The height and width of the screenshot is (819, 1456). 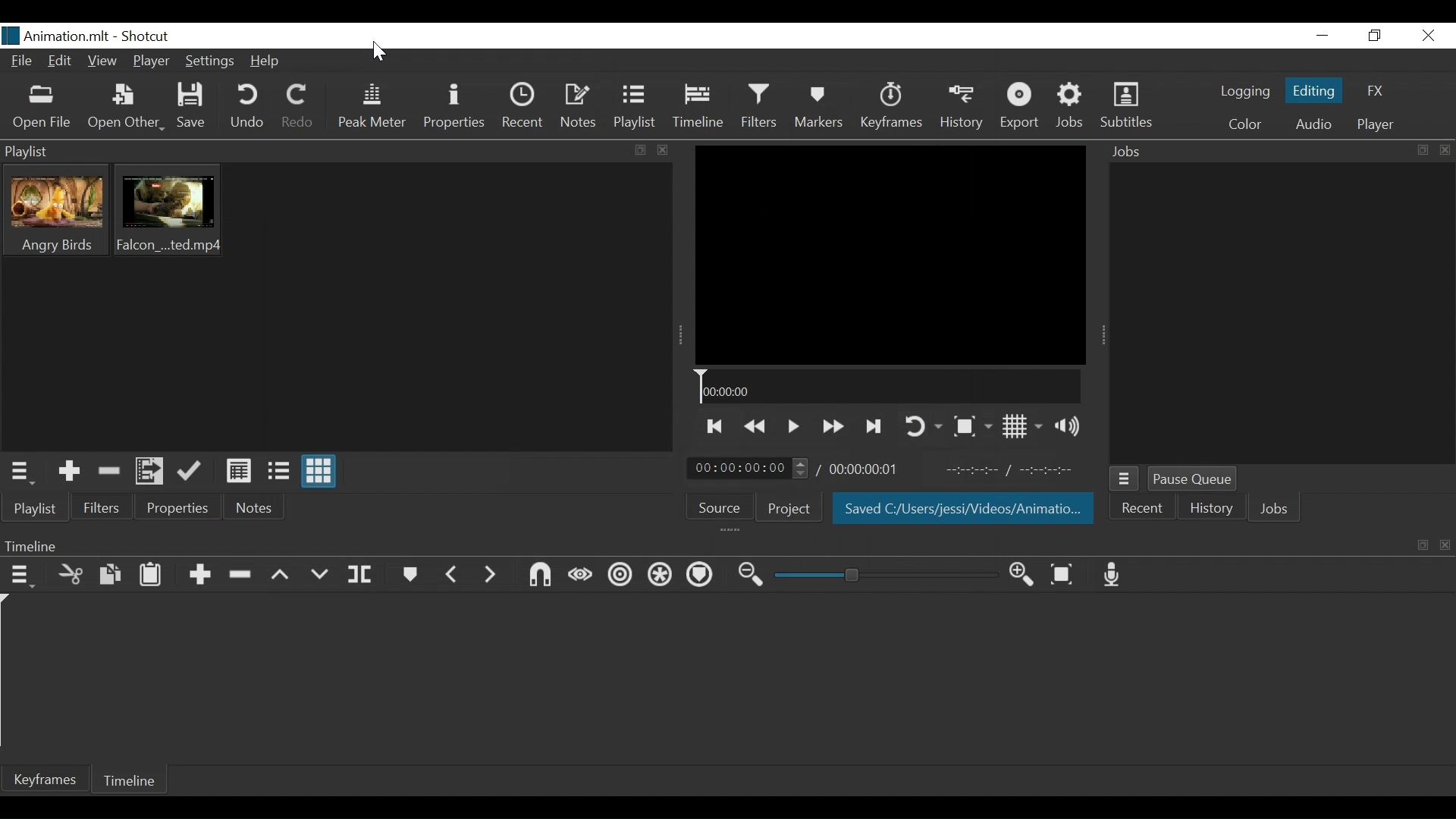 I want to click on Jobs, so click(x=1071, y=106).